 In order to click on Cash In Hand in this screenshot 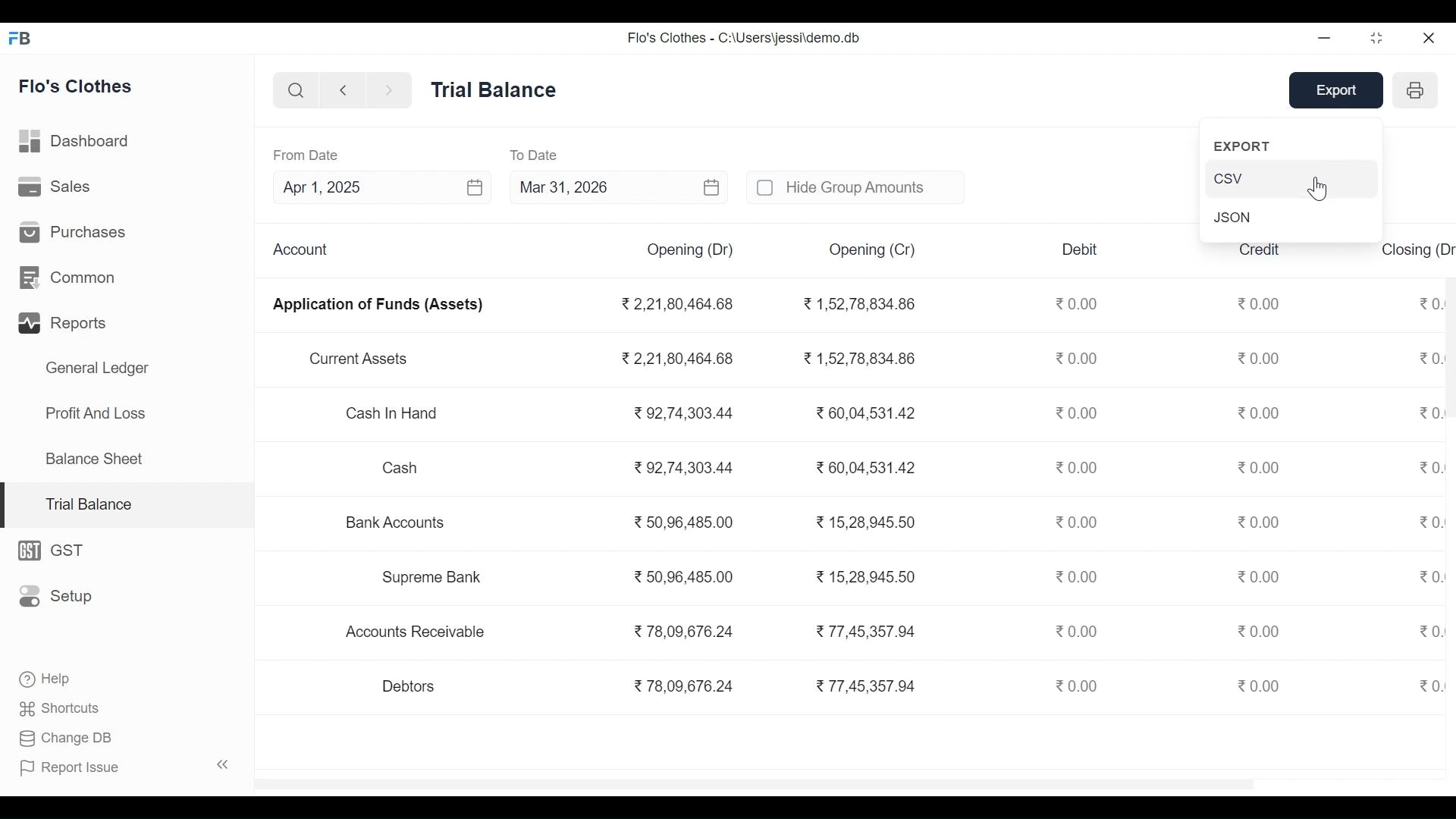, I will do `click(398, 415)`.